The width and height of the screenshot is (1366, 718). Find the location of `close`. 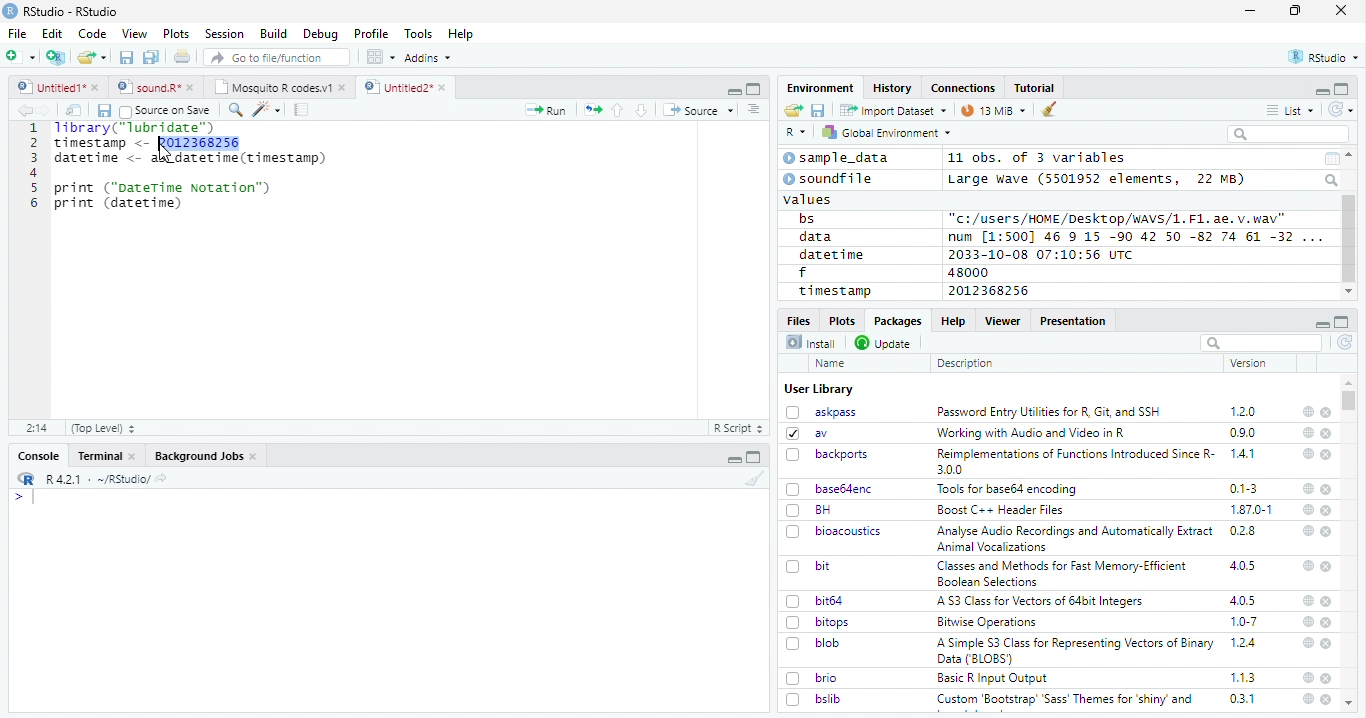

close is located at coordinates (1327, 434).